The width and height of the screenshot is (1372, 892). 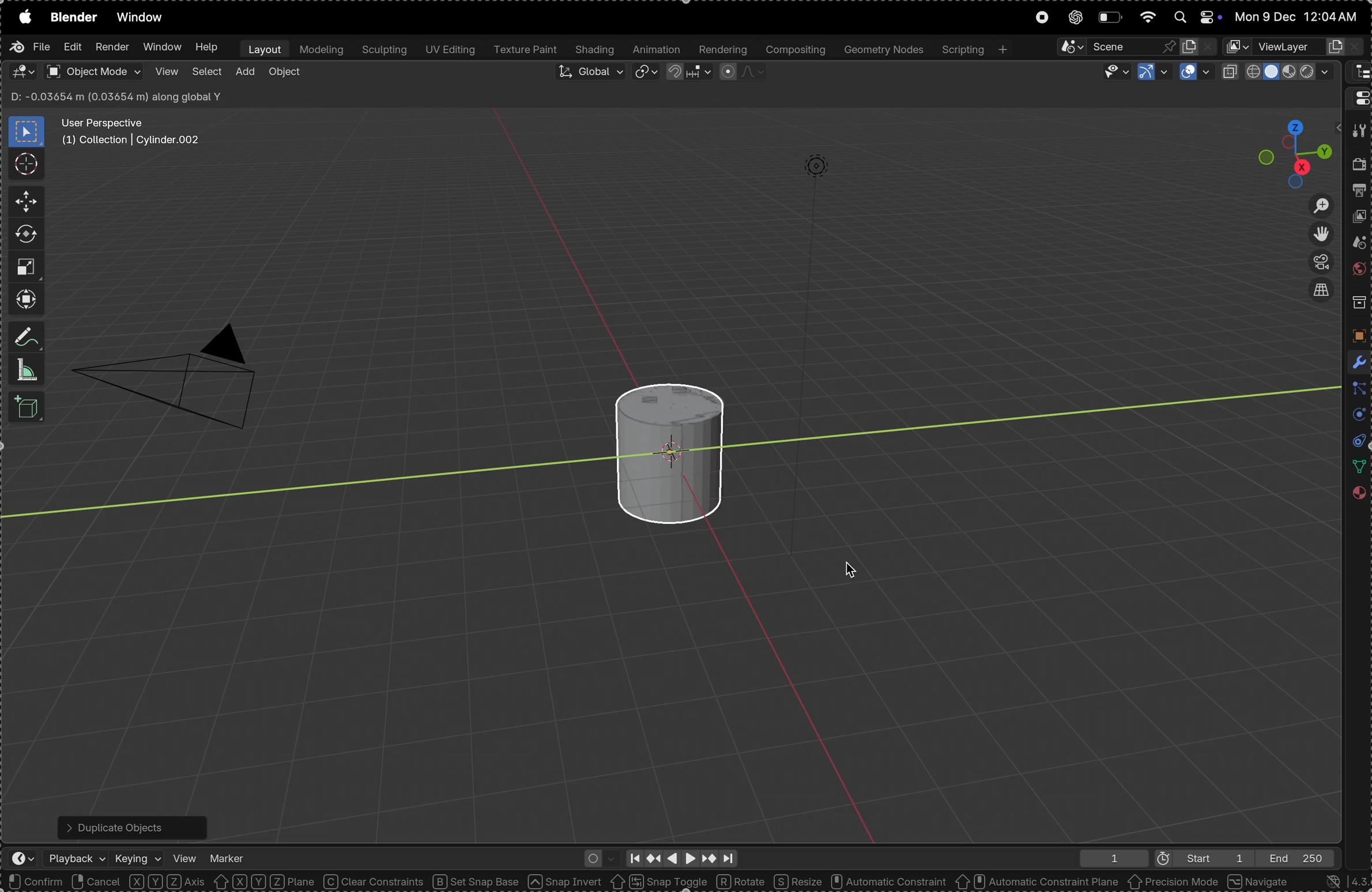 I want to click on new scene, so click(x=1198, y=44).